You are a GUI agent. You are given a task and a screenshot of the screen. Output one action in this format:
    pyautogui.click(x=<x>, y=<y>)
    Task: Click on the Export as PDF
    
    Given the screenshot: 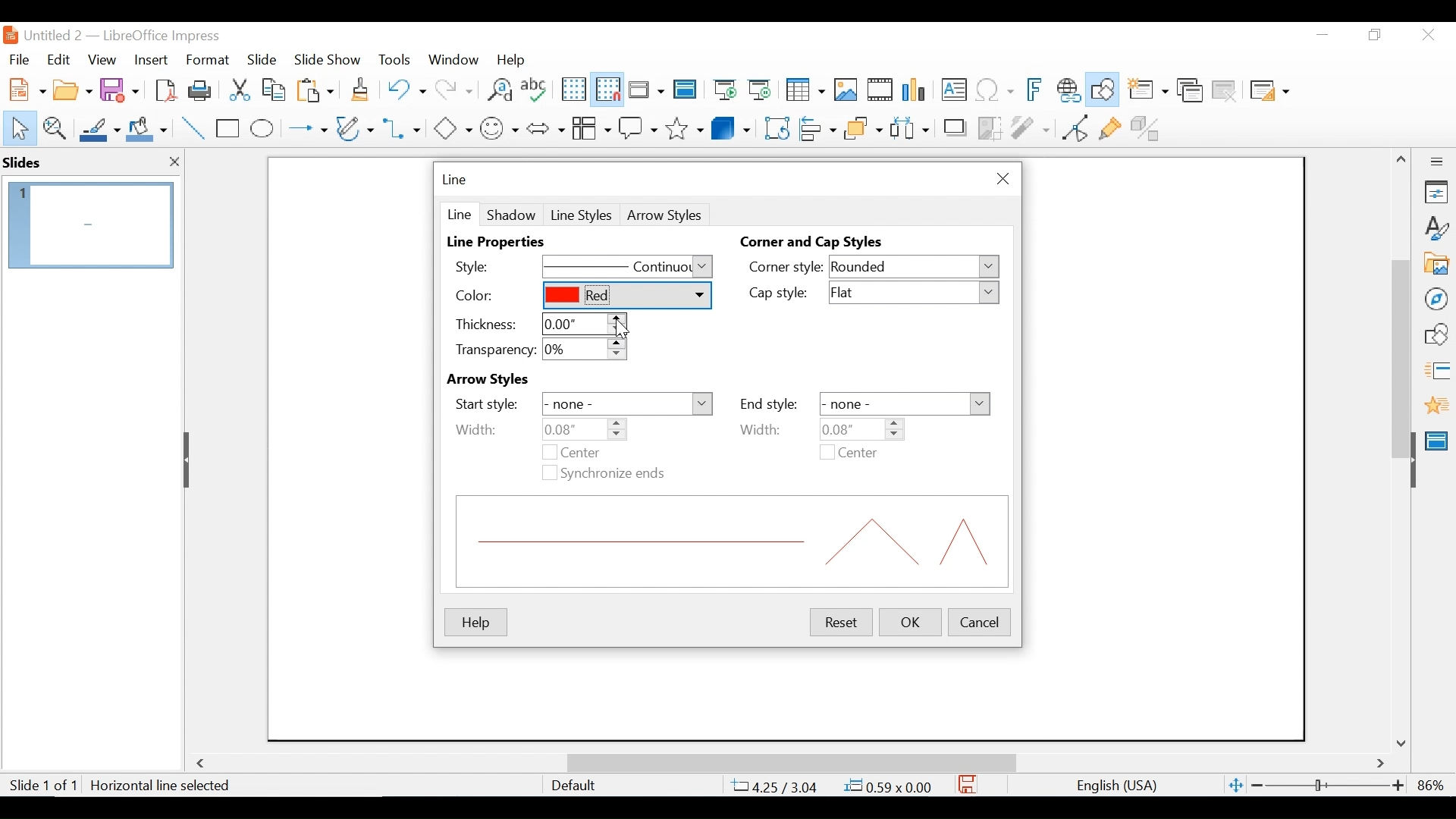 What is the action you would take?
    pyautogui.click(x=165, y=89)
    